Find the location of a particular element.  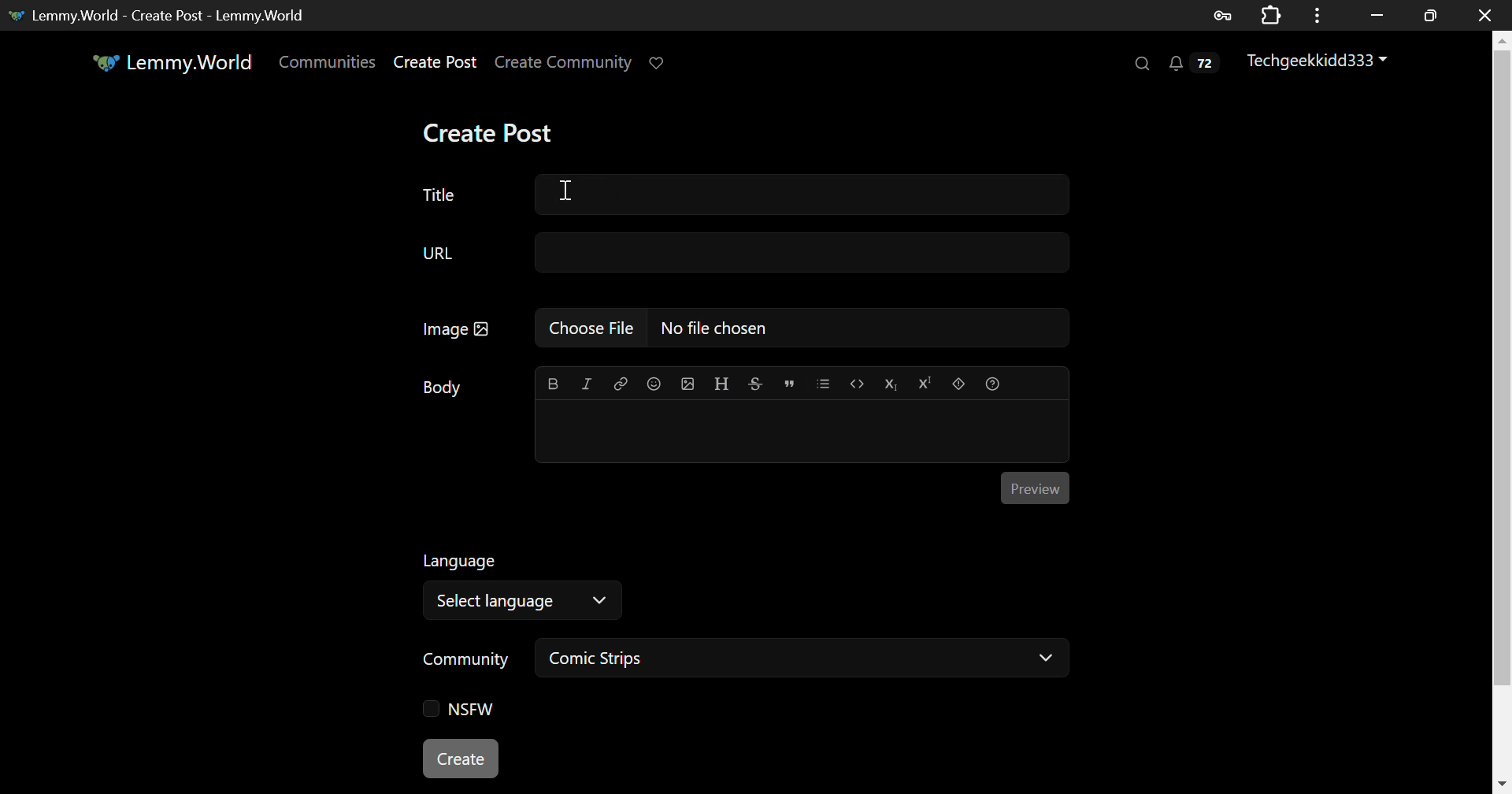

Password Data Saved is located at coordinates (1224, 14).